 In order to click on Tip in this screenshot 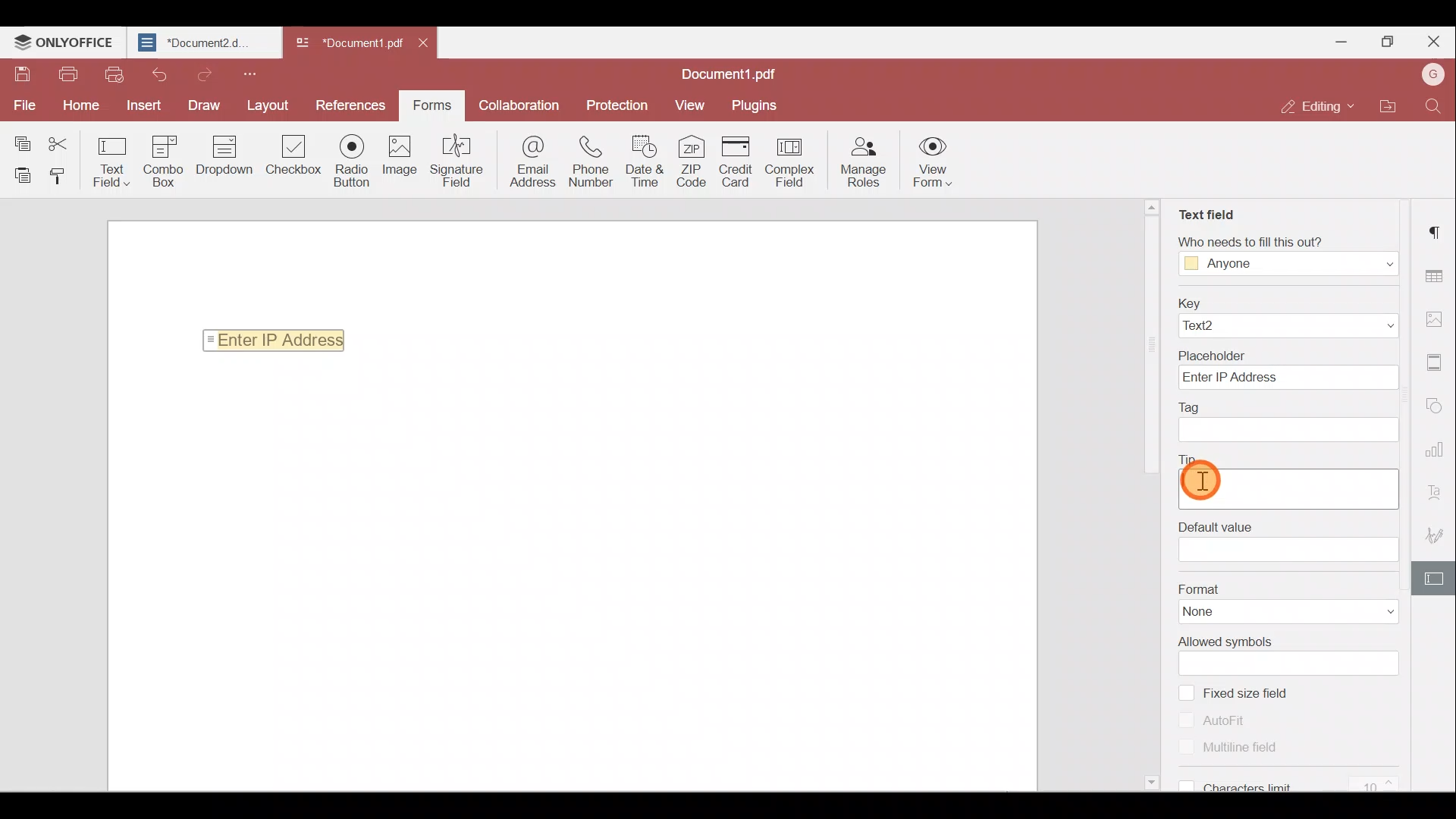, I will do `click(1200, 457)`.